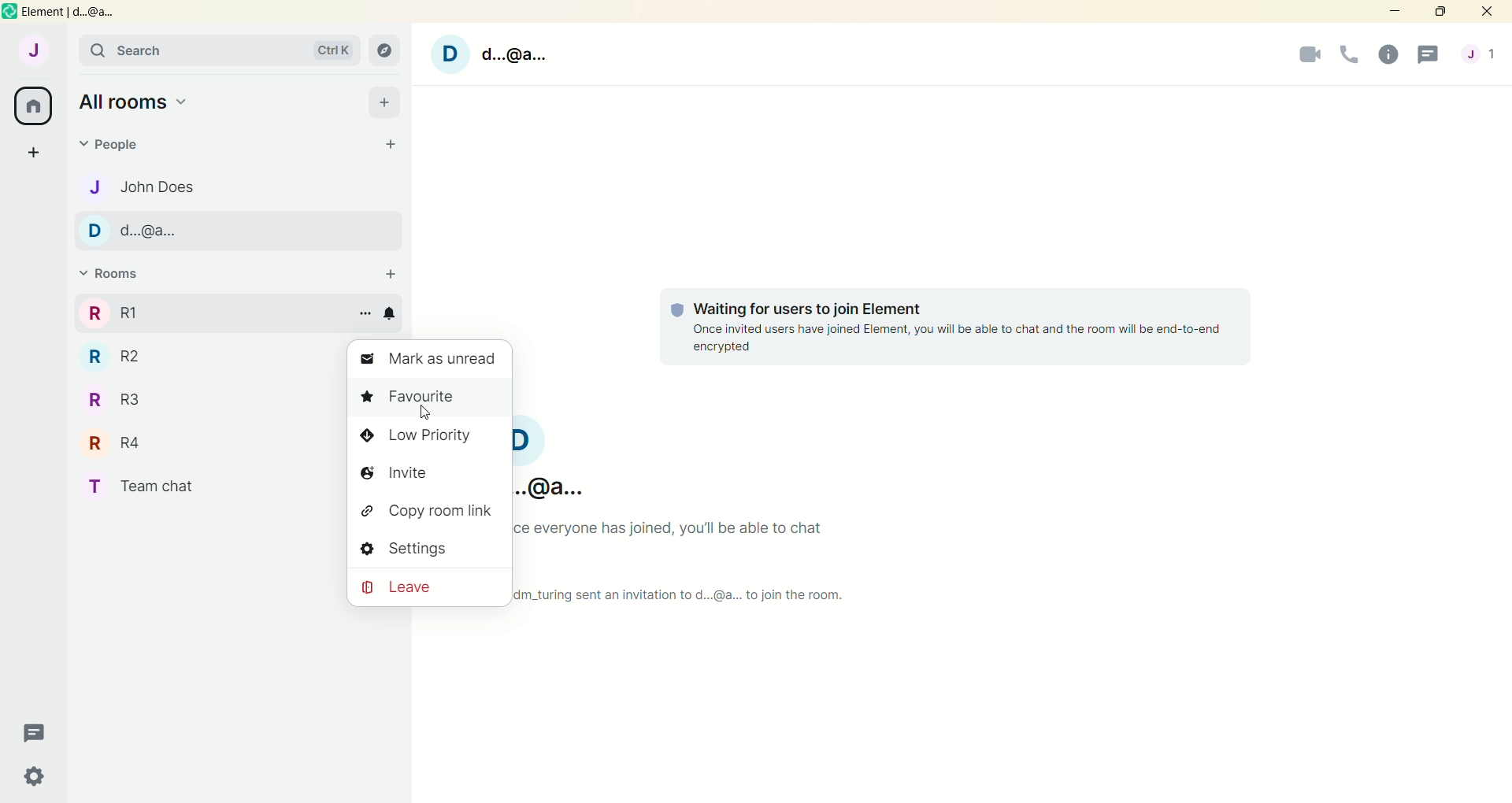 This screenshot has height=803, width=1512. I want to click on Home, so click(33, 107).